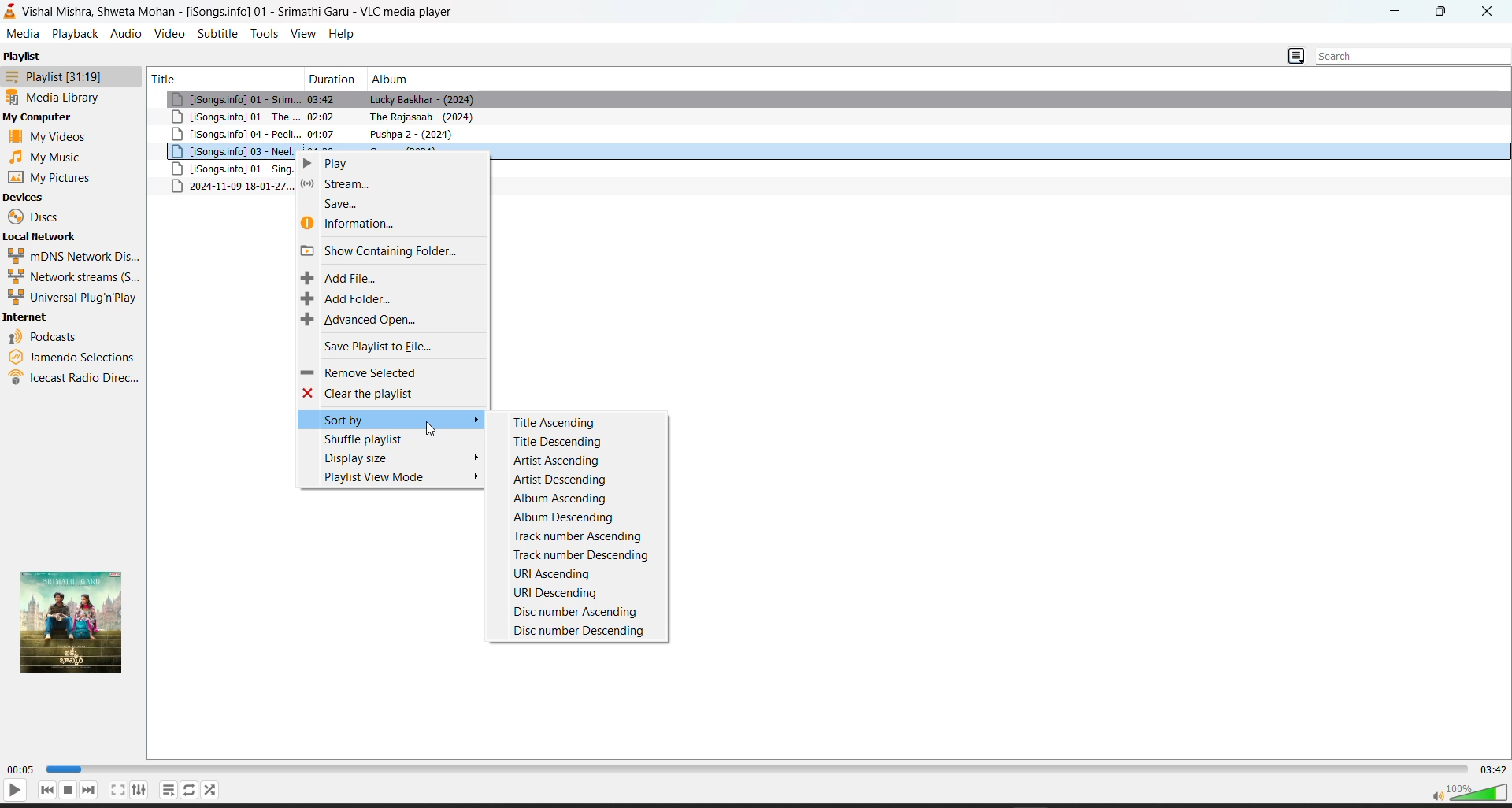  I want to click on title ascending, so click(576, 421).